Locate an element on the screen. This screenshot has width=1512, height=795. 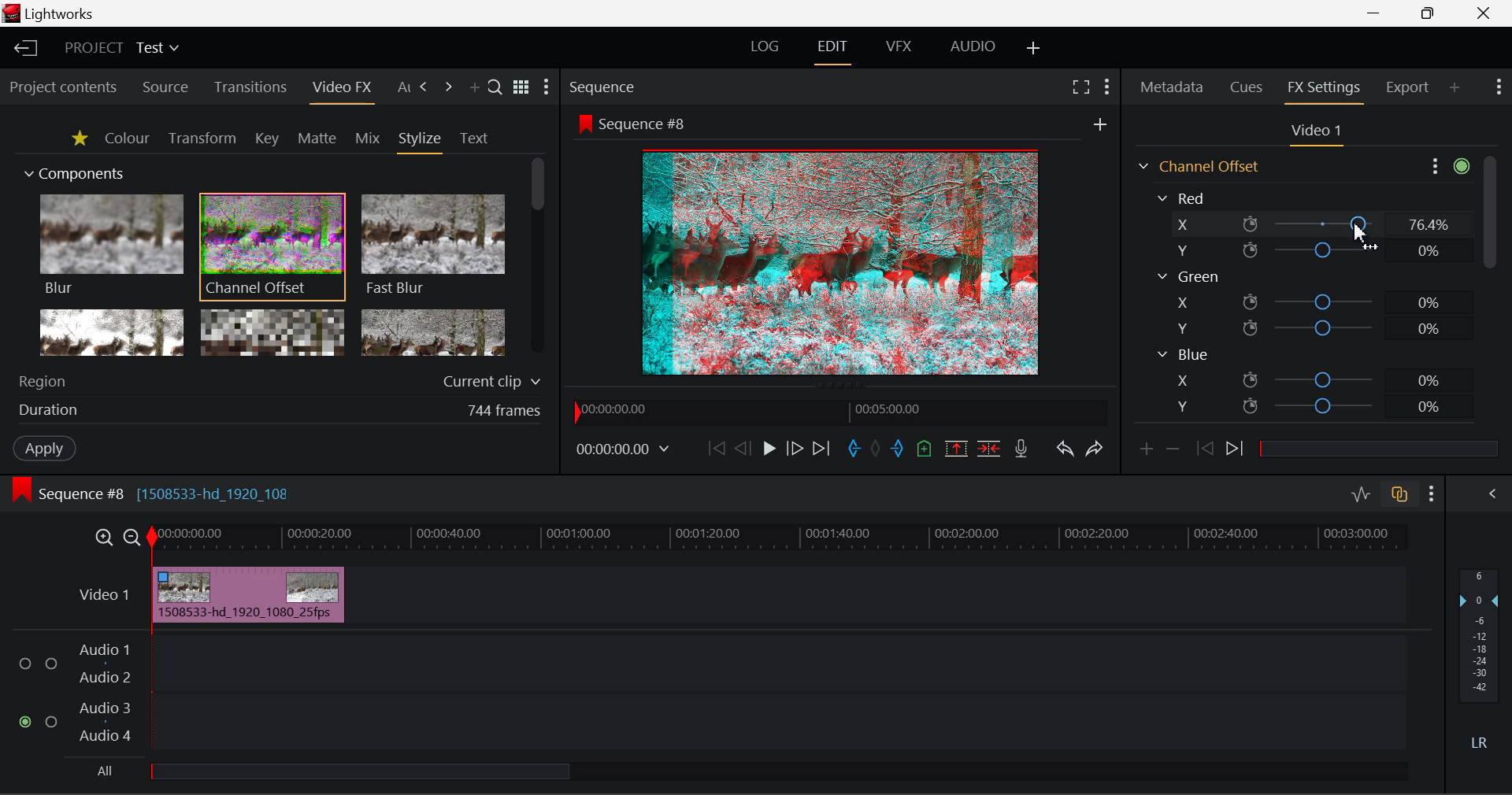
Text is located at coordinates (473, 139).